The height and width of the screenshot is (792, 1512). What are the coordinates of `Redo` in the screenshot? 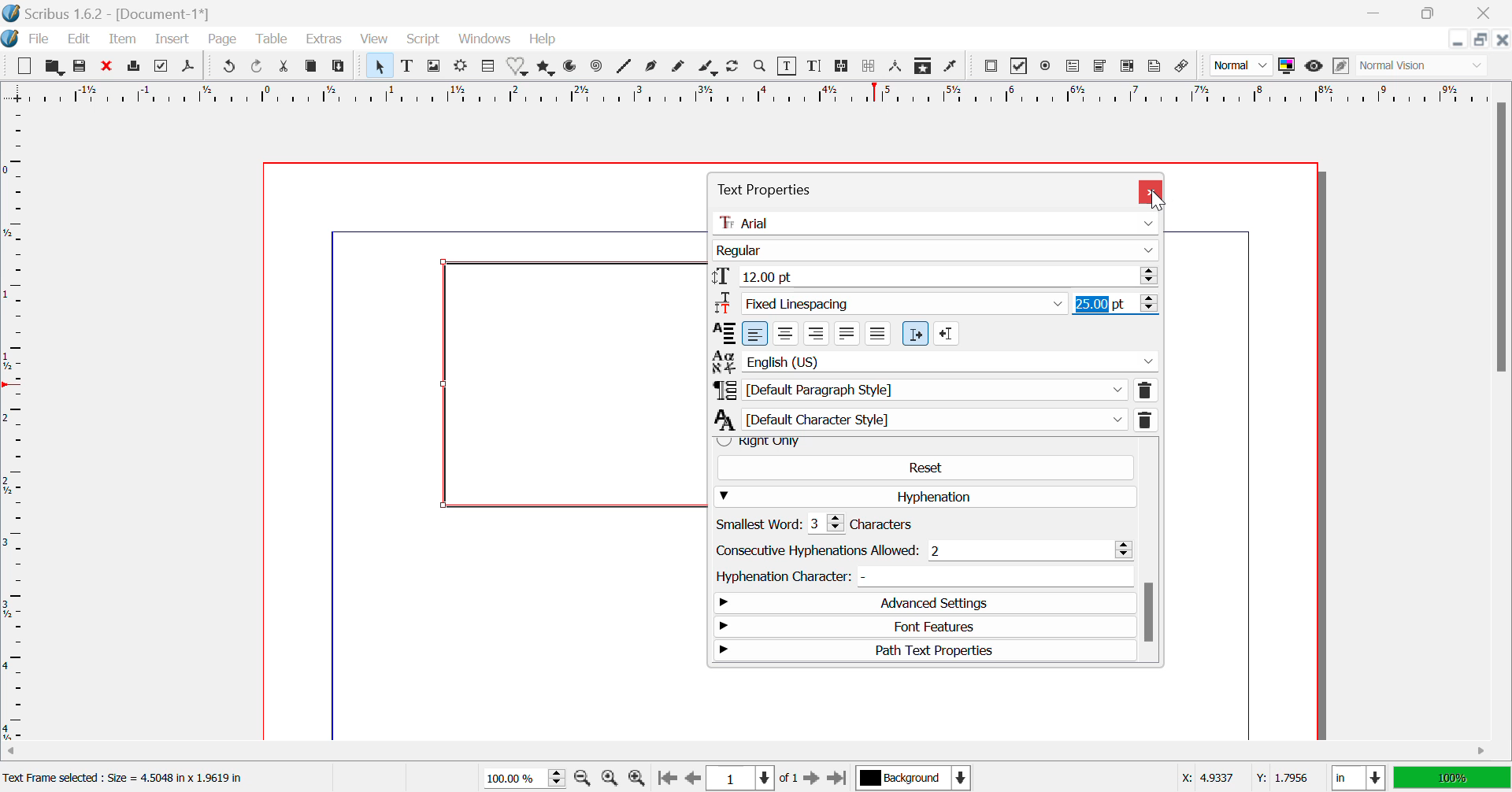 It's located at (257, 68).